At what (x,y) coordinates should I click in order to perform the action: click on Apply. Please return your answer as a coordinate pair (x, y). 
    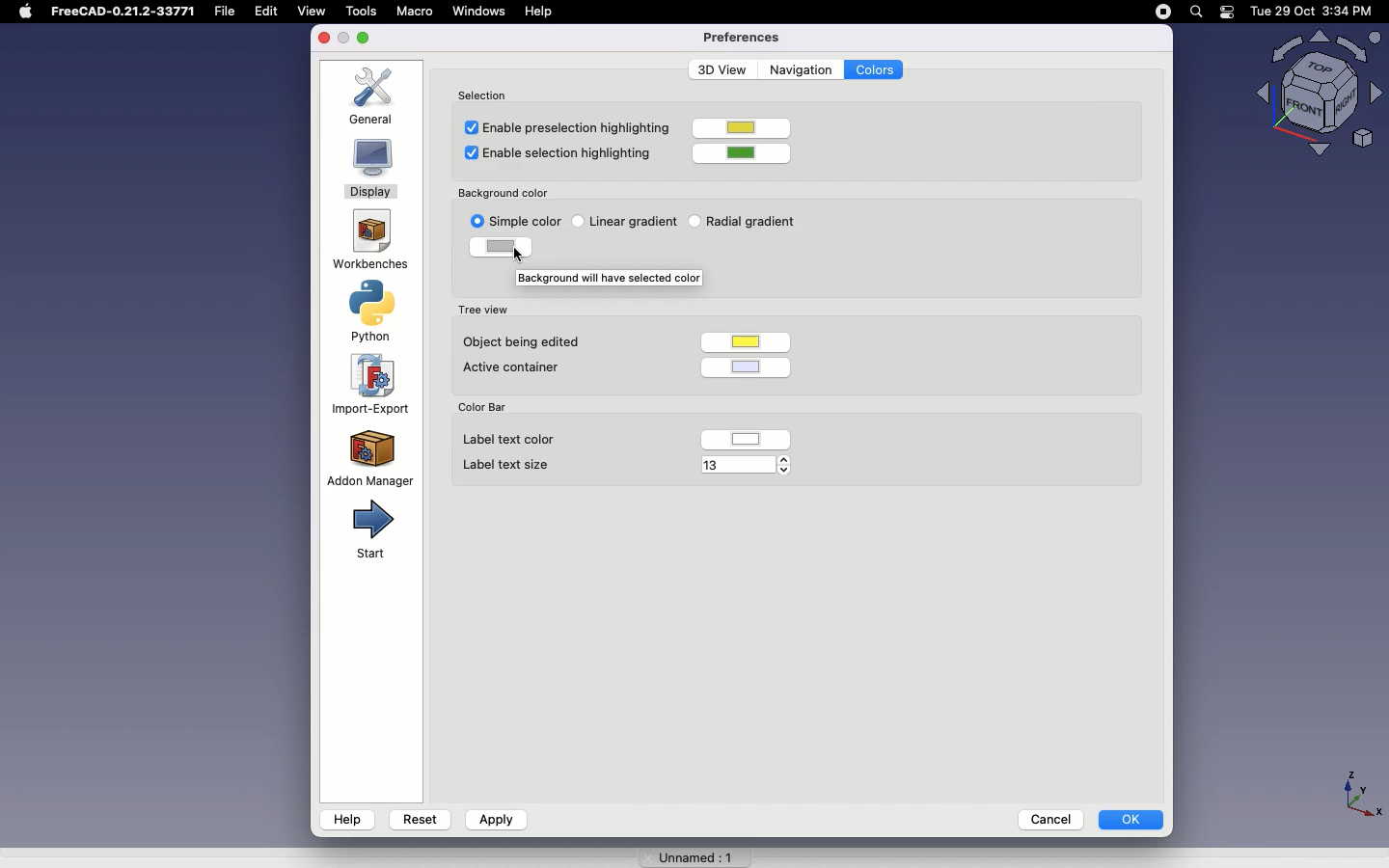
    Looking at the image, I should click on (495, 820).